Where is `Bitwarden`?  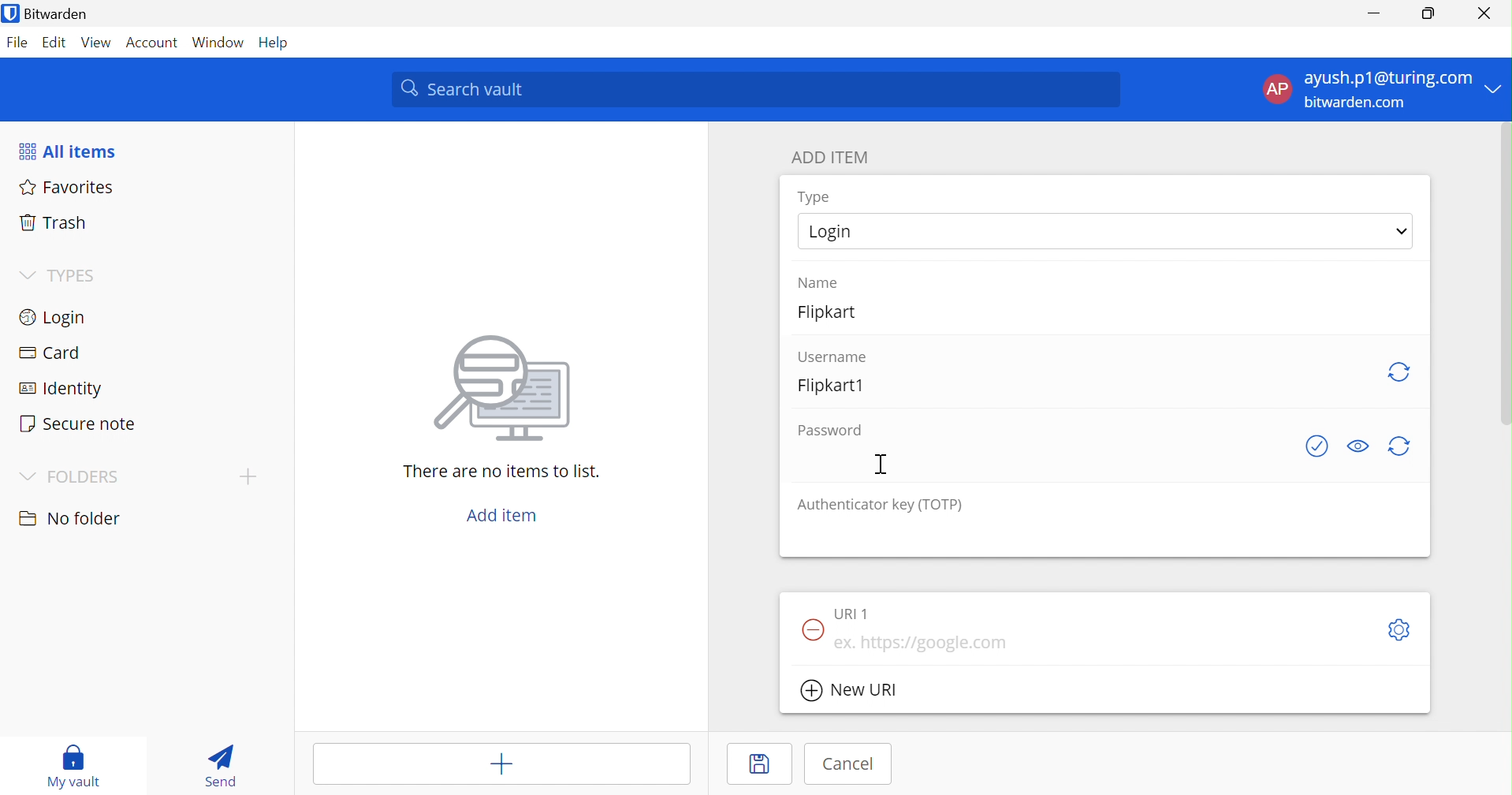 Bitwarden is located at coordinates (58, 15).